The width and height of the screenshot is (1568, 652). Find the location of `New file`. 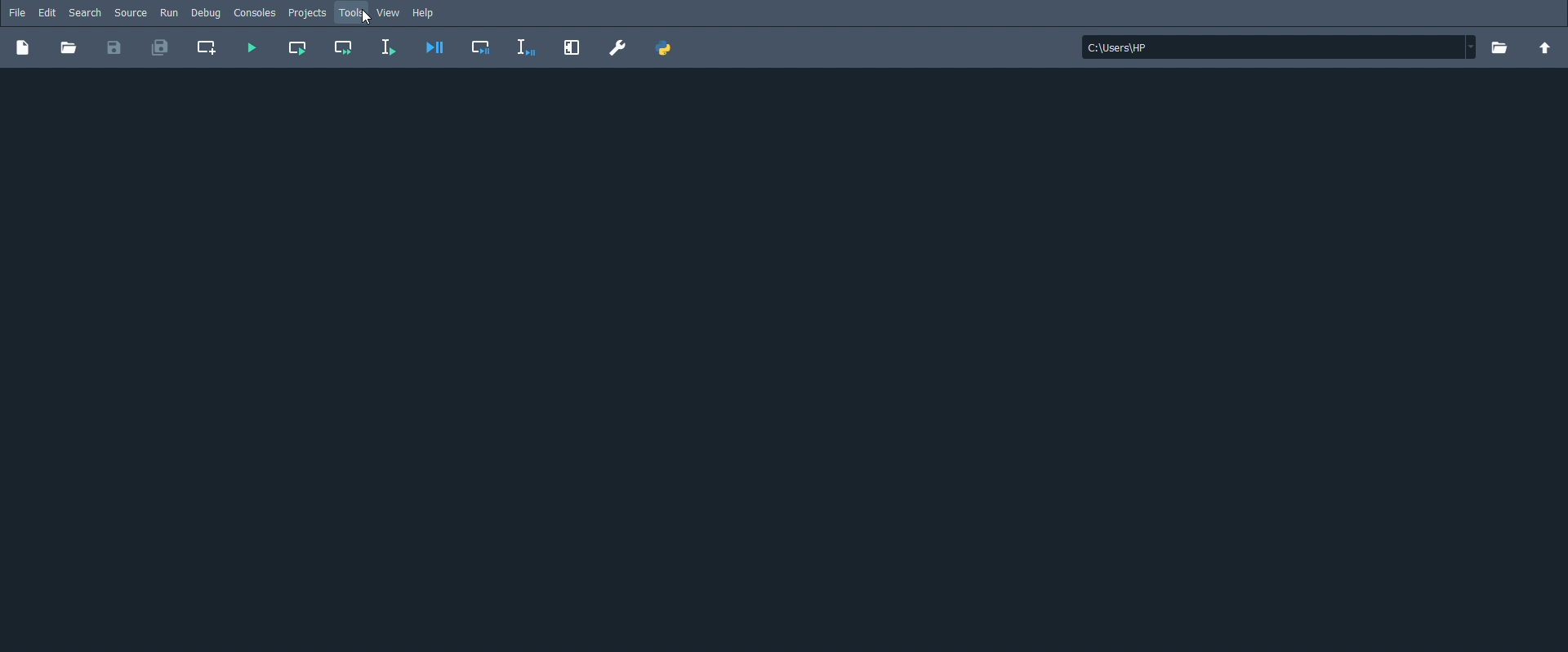

New file is located at coordinates (24, 48).